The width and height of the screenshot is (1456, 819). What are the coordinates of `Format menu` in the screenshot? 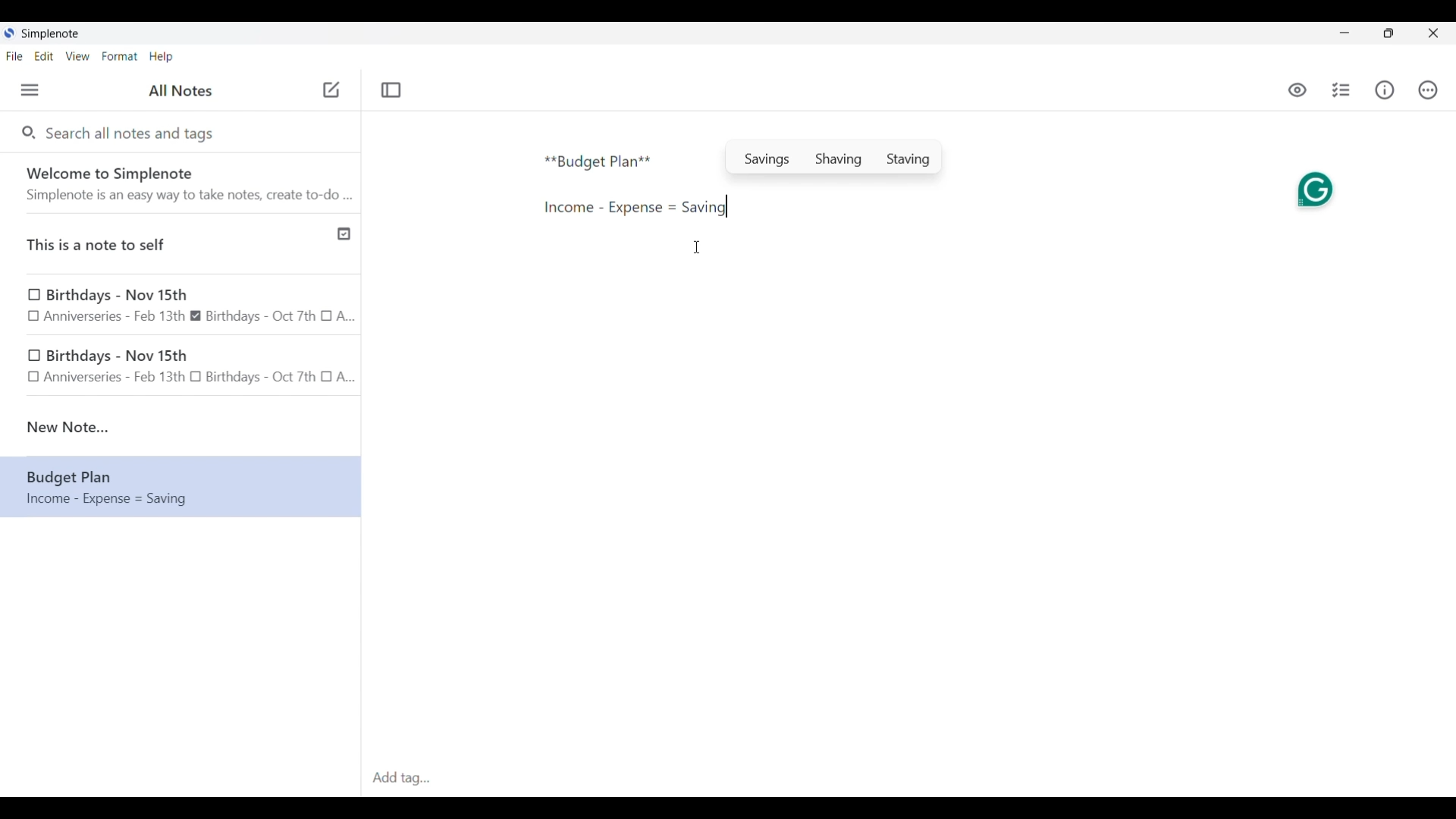 It's located at (120, 56).